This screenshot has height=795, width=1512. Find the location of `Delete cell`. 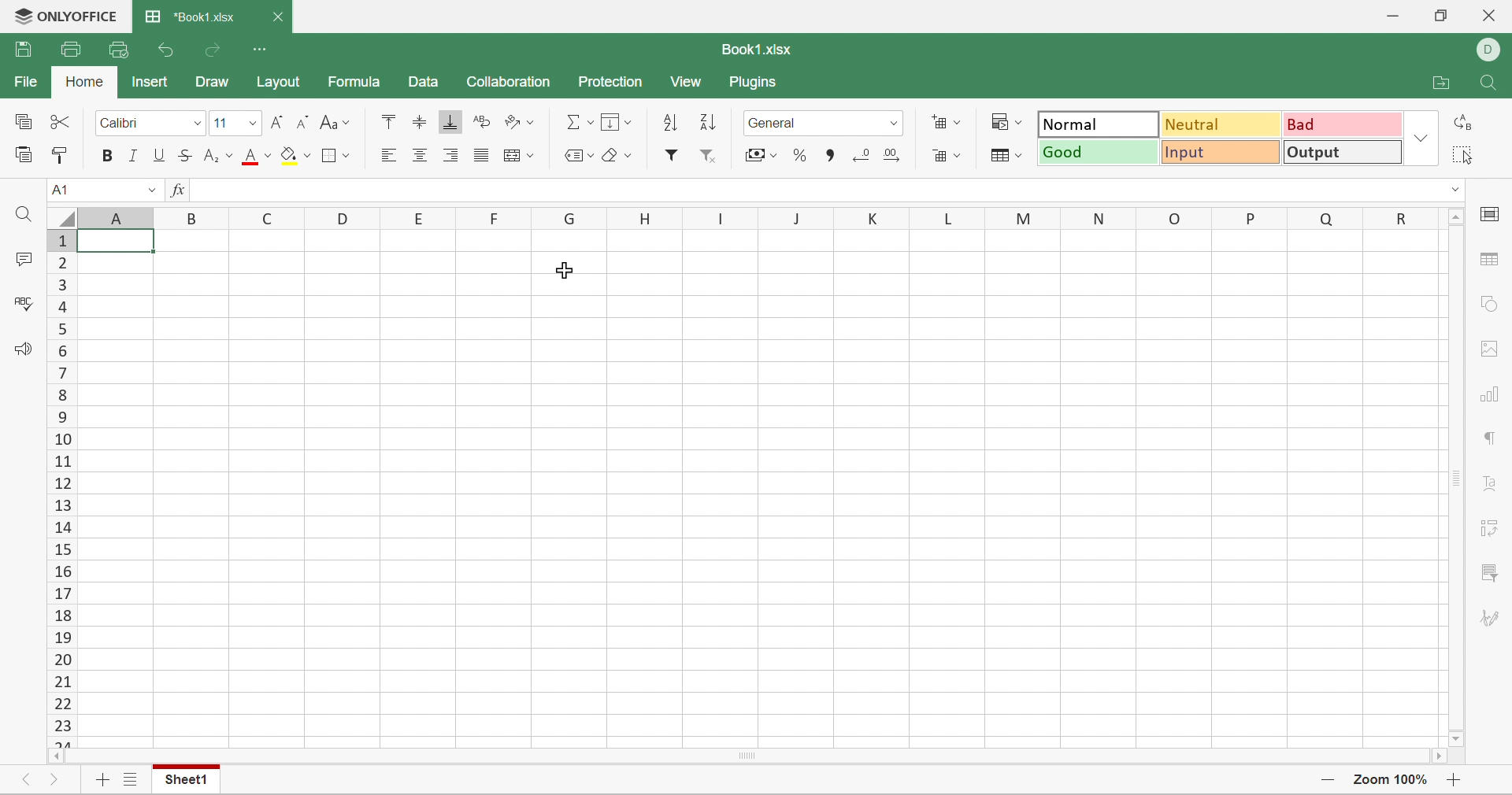

Delete cell is located at coordinates (949, 157).